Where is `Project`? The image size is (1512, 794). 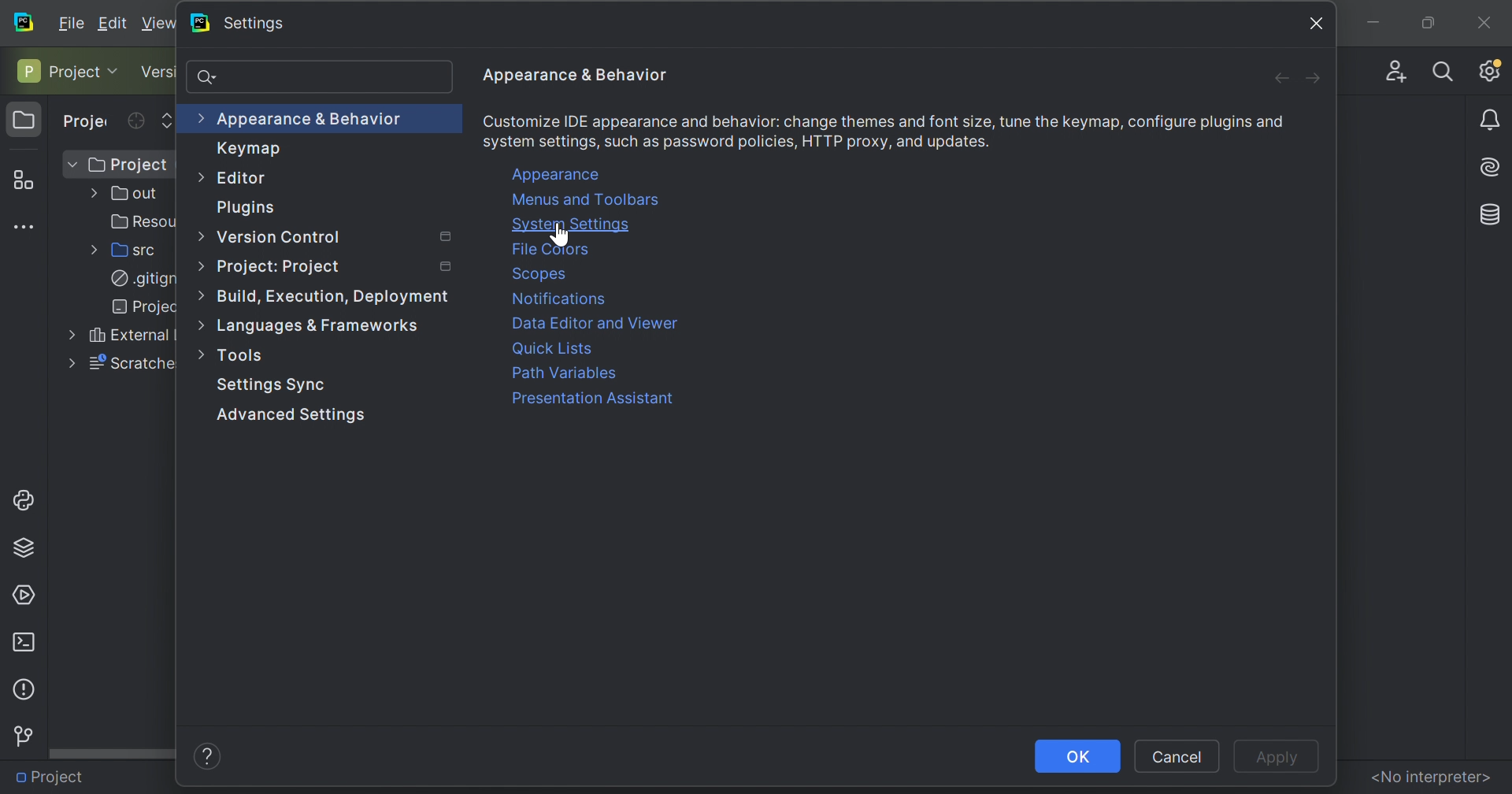
Project is located at coordinates (53, 775).